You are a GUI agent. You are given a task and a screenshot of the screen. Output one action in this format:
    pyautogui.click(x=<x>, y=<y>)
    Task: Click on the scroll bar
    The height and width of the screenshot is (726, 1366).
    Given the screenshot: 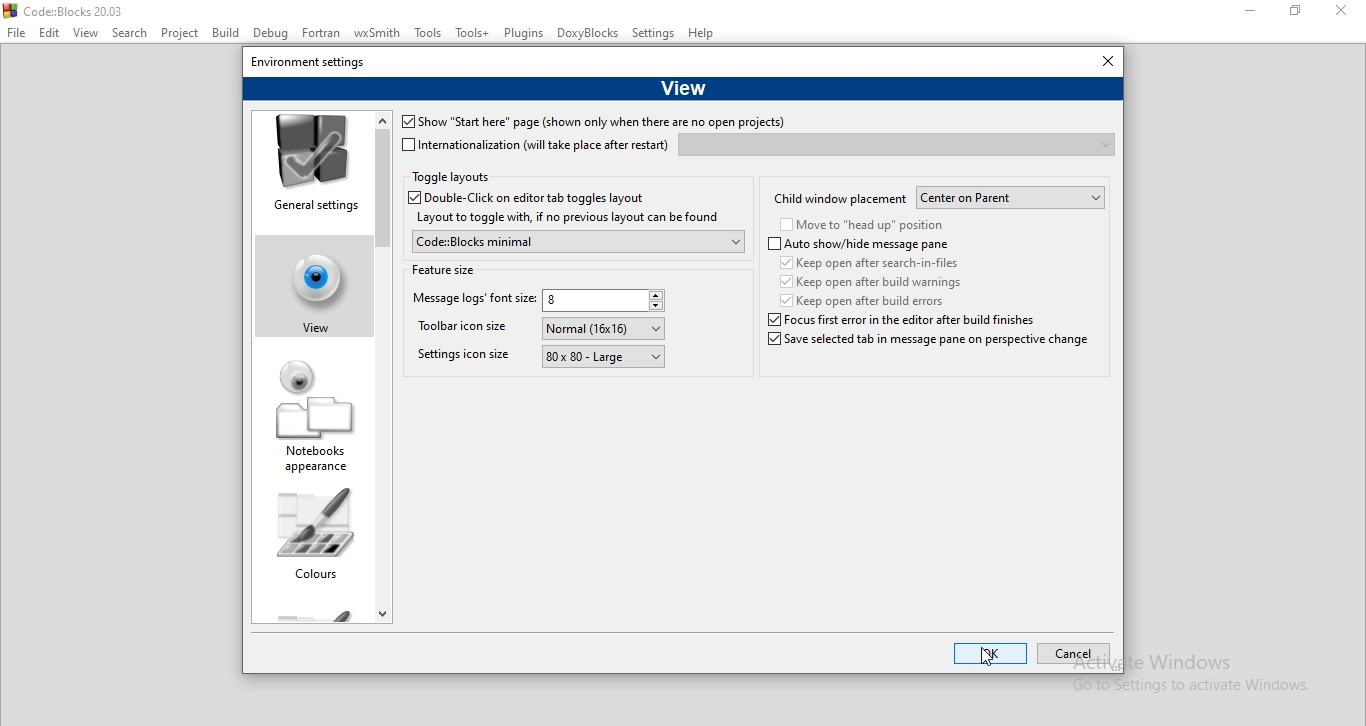 What is the action you would take?
    pyautogui.click(x=383, y=364)
    